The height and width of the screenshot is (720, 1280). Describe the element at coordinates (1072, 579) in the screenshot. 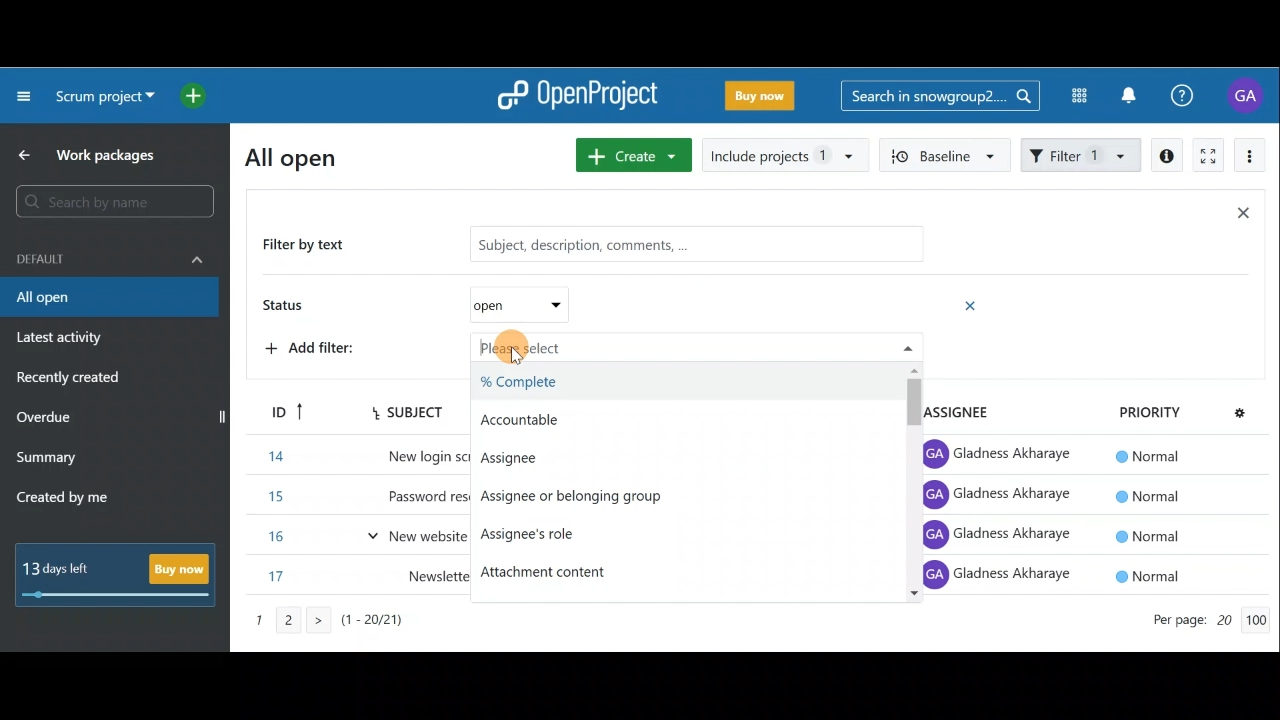

I see `Item 9` at that location.